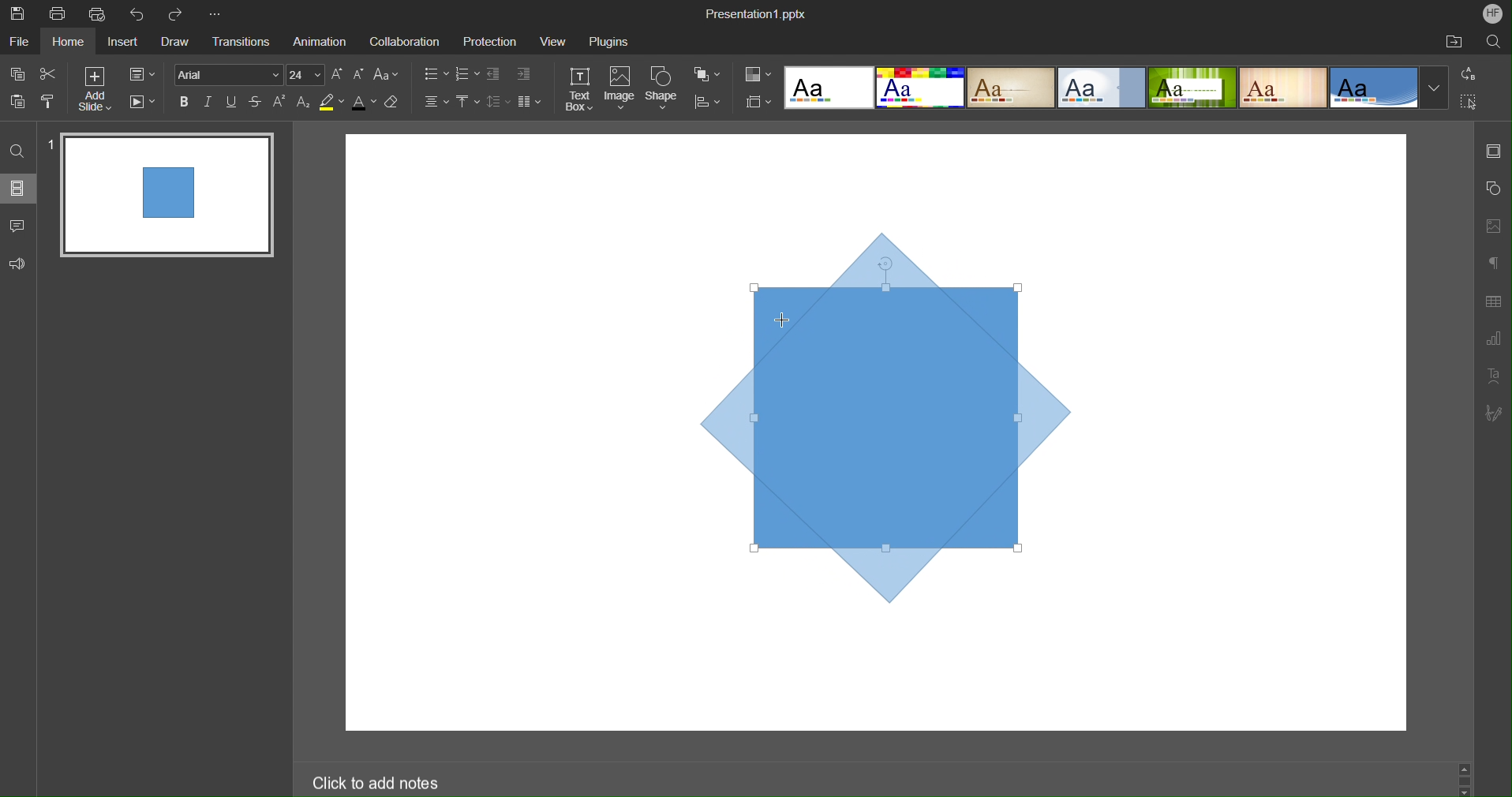  What do you see at coordinates (608, 39) in the screenshot?
I see `Plugins` at bounding box center [608, 39].